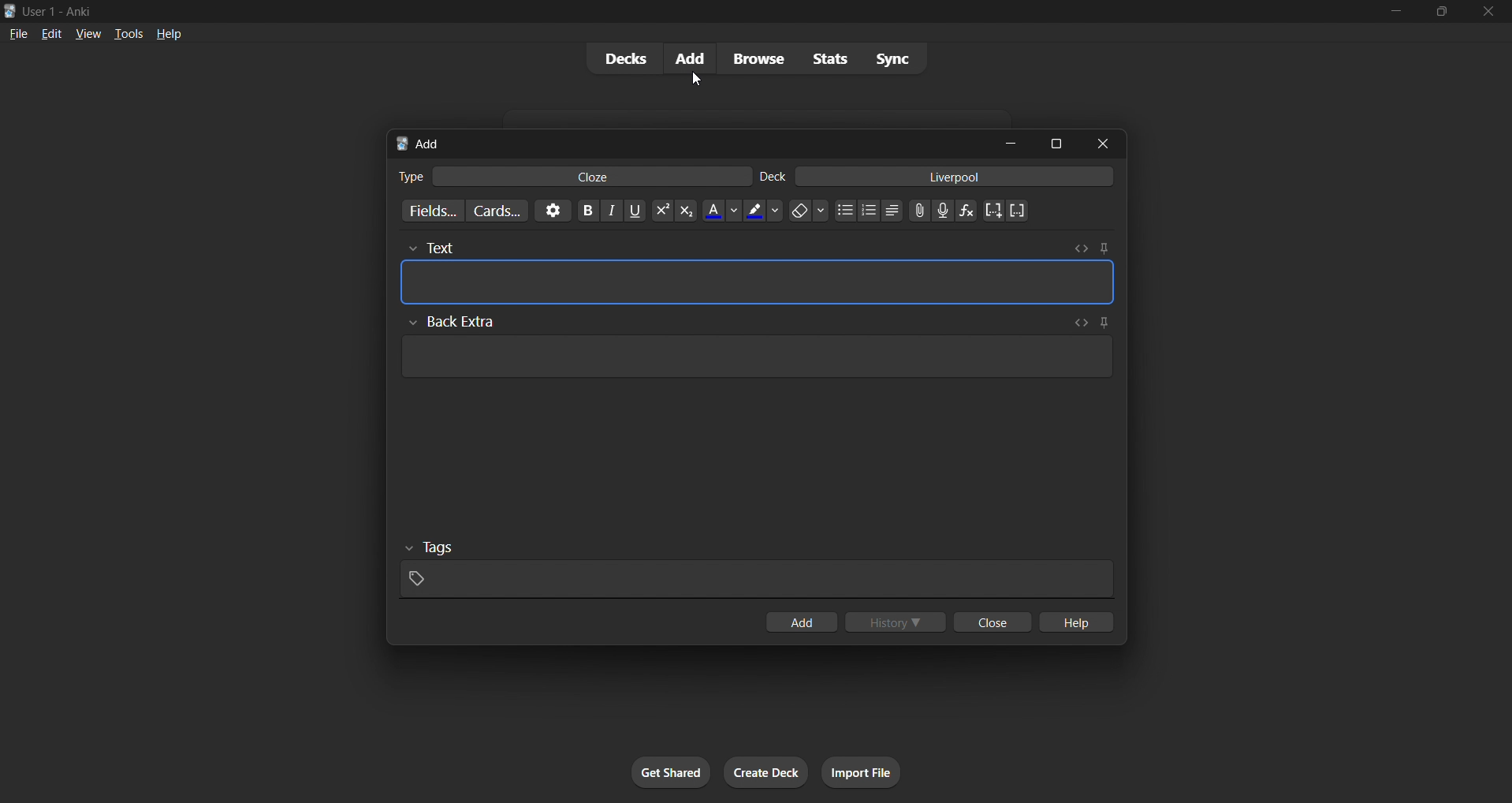 This screenshot has height=803, width=1512. What do you see at coordinates (17, 35) in the screenshot?
I see `file` at bounding box center [17, 35].